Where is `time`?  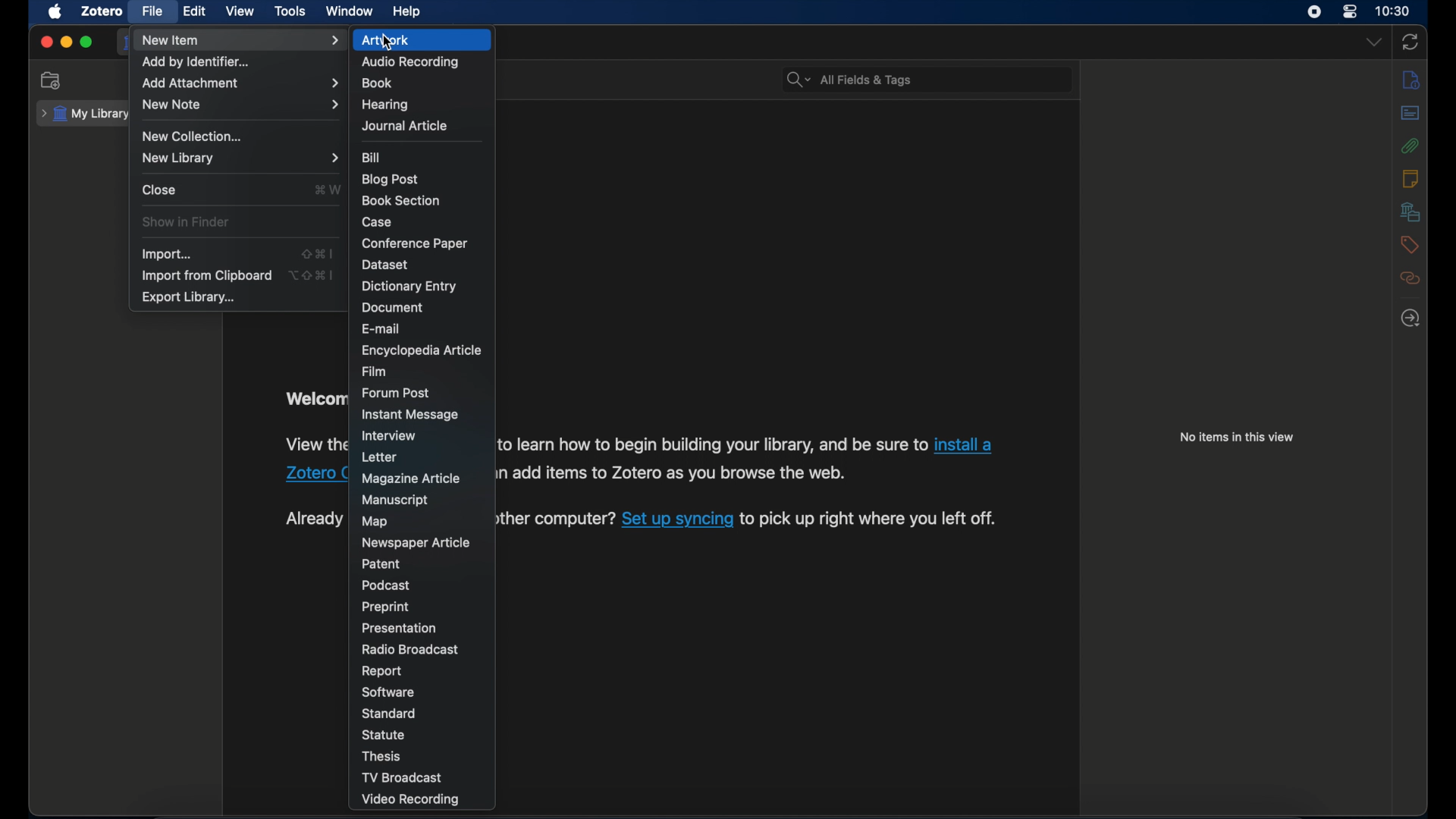
time is located at coordinates (1392, 11).